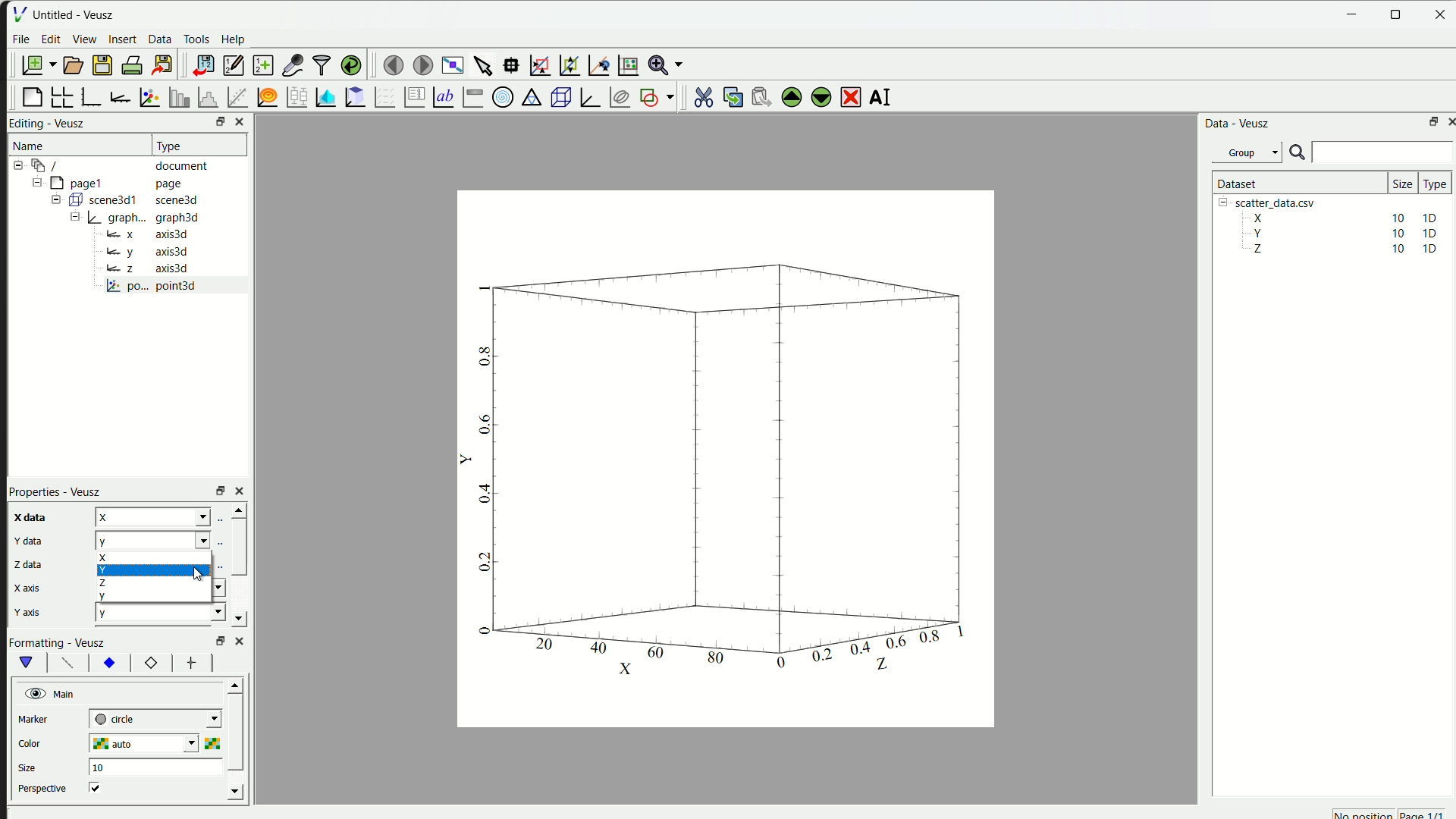 The height and width of the screenshot is (819, 1456). I want to click on remove the selected widget, so click(848, 96).